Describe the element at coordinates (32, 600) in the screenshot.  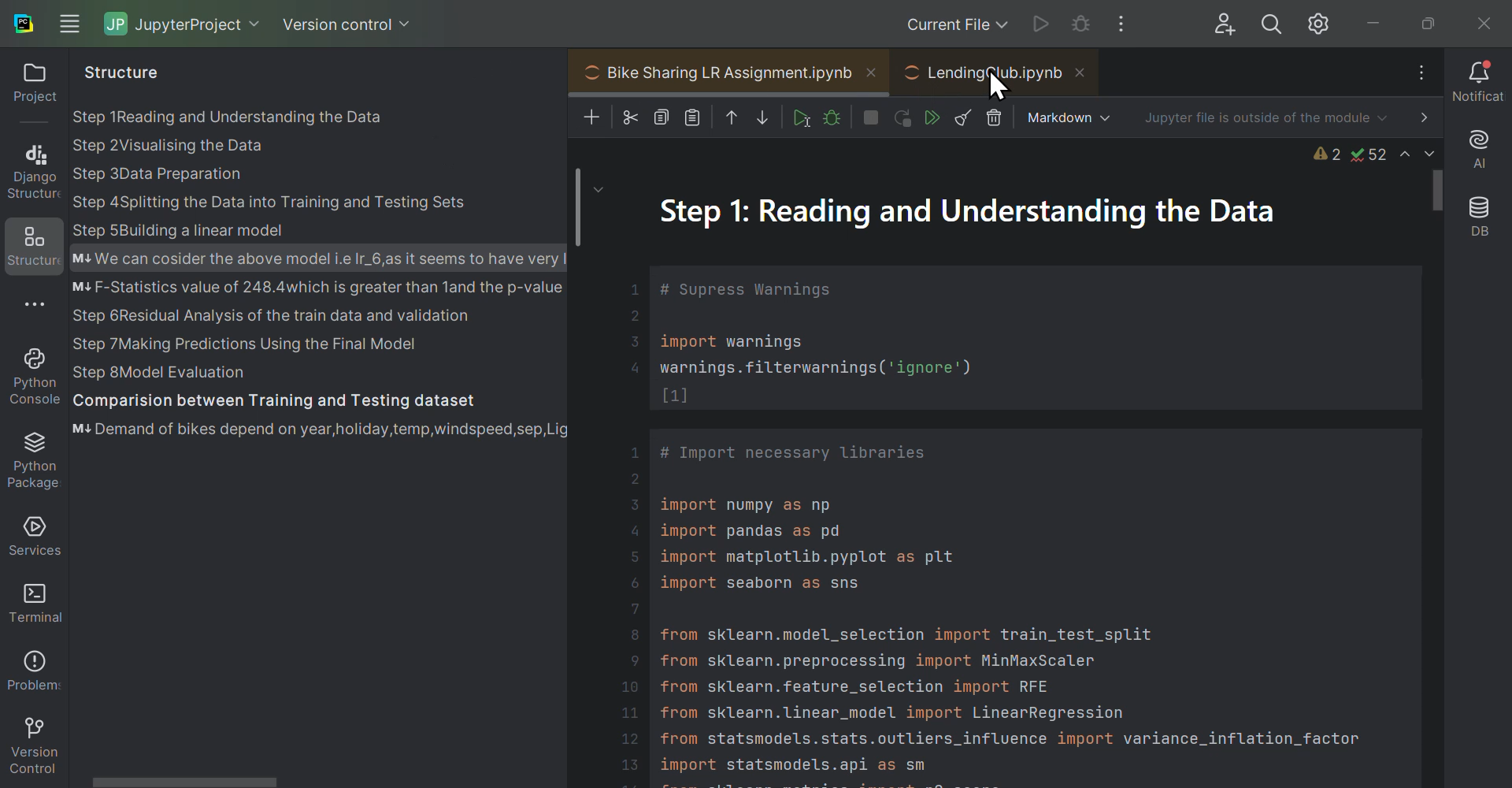
I see `Terminal` at that location.